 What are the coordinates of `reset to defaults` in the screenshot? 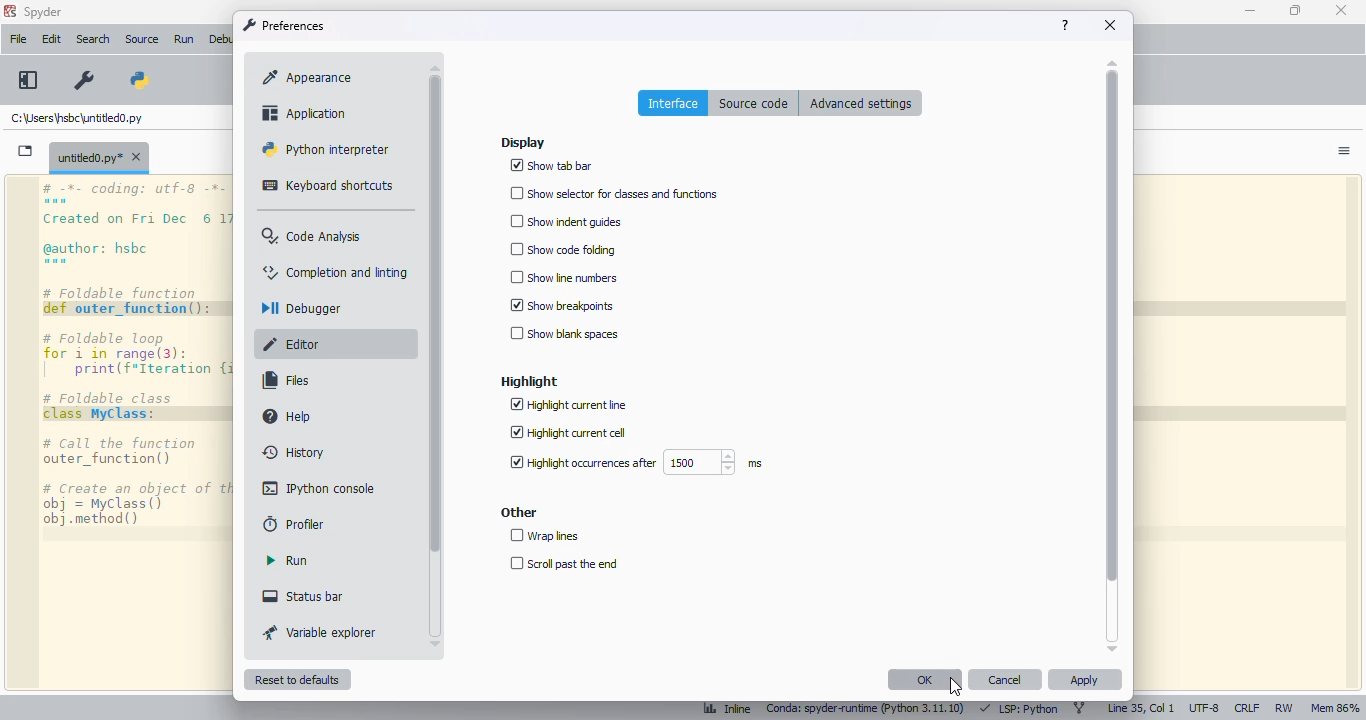 It's located at (296, 679).